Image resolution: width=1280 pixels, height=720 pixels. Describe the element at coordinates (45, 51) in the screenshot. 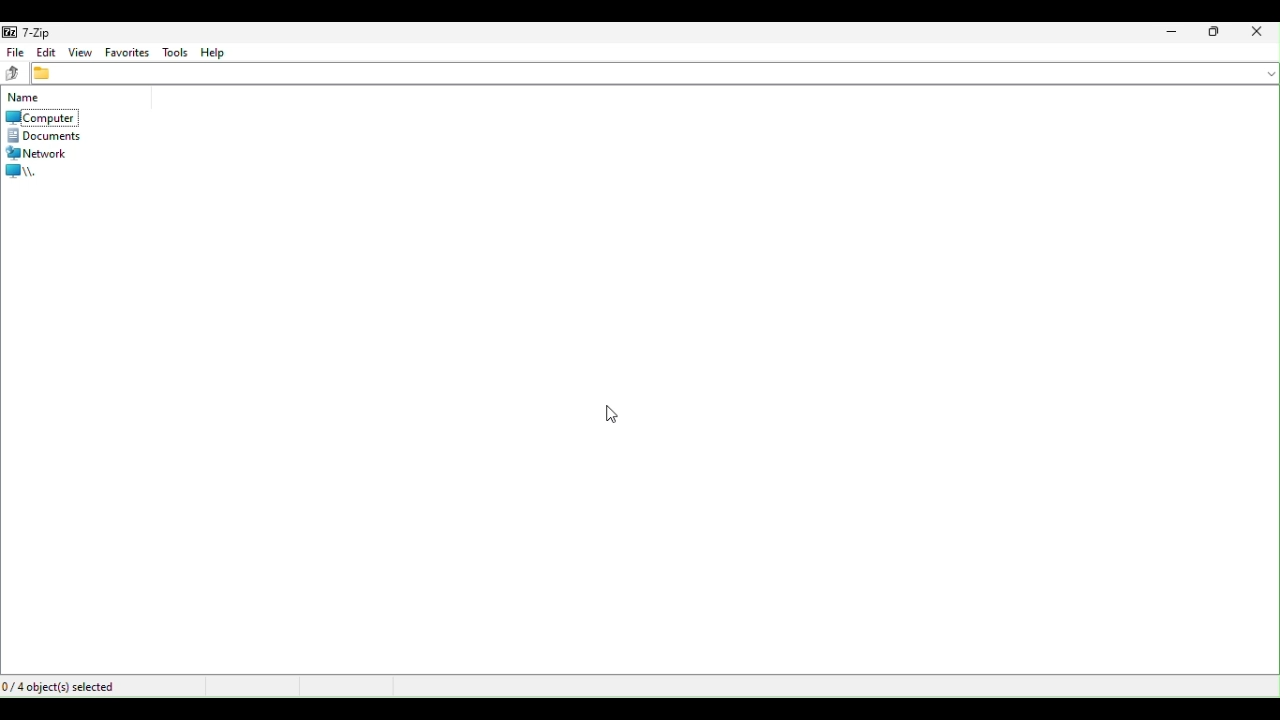

I see `Edit` at that location.